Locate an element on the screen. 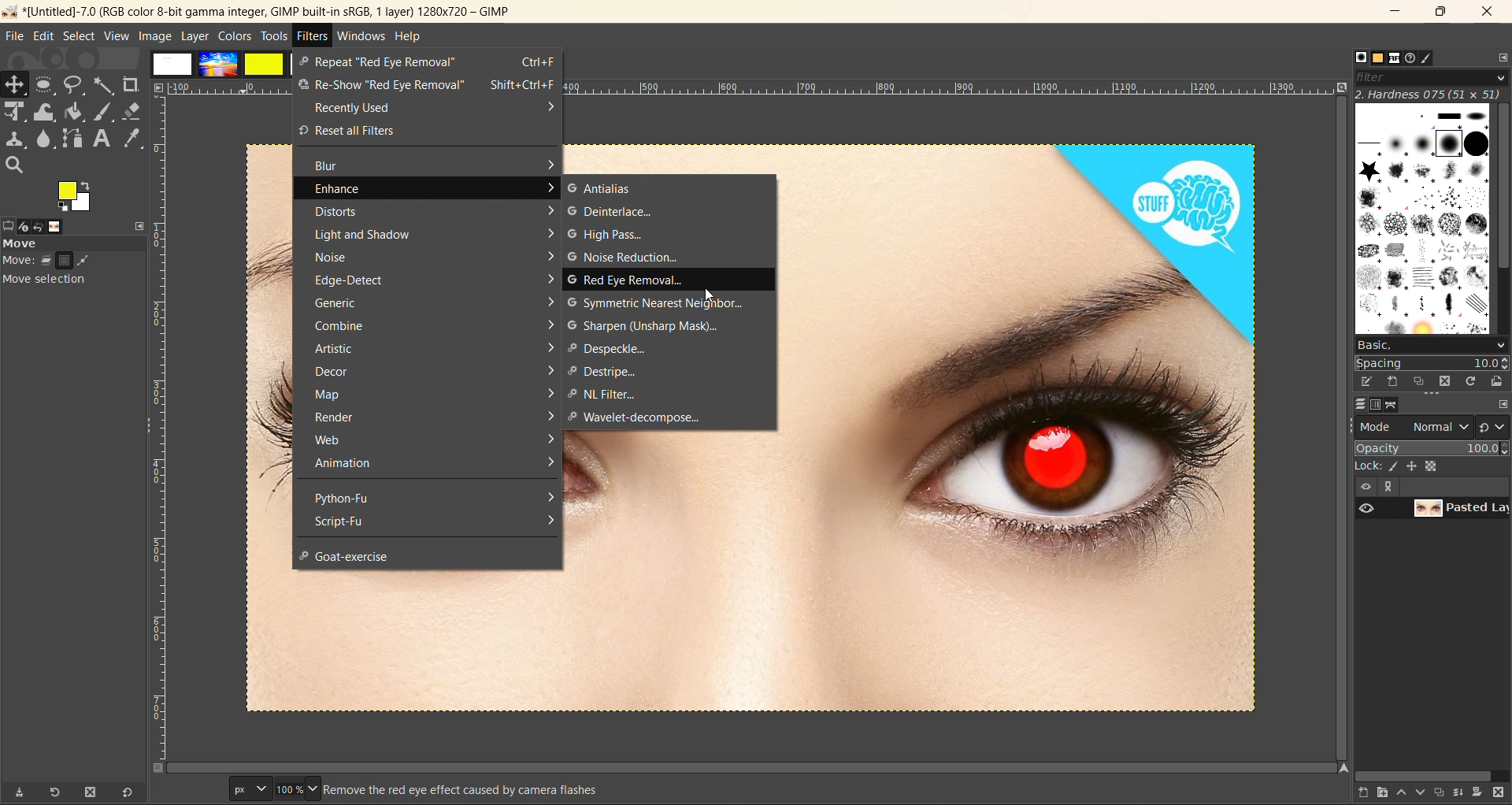 The image size is (1512, 805). patterns  is located at coordinates (1370, 57).